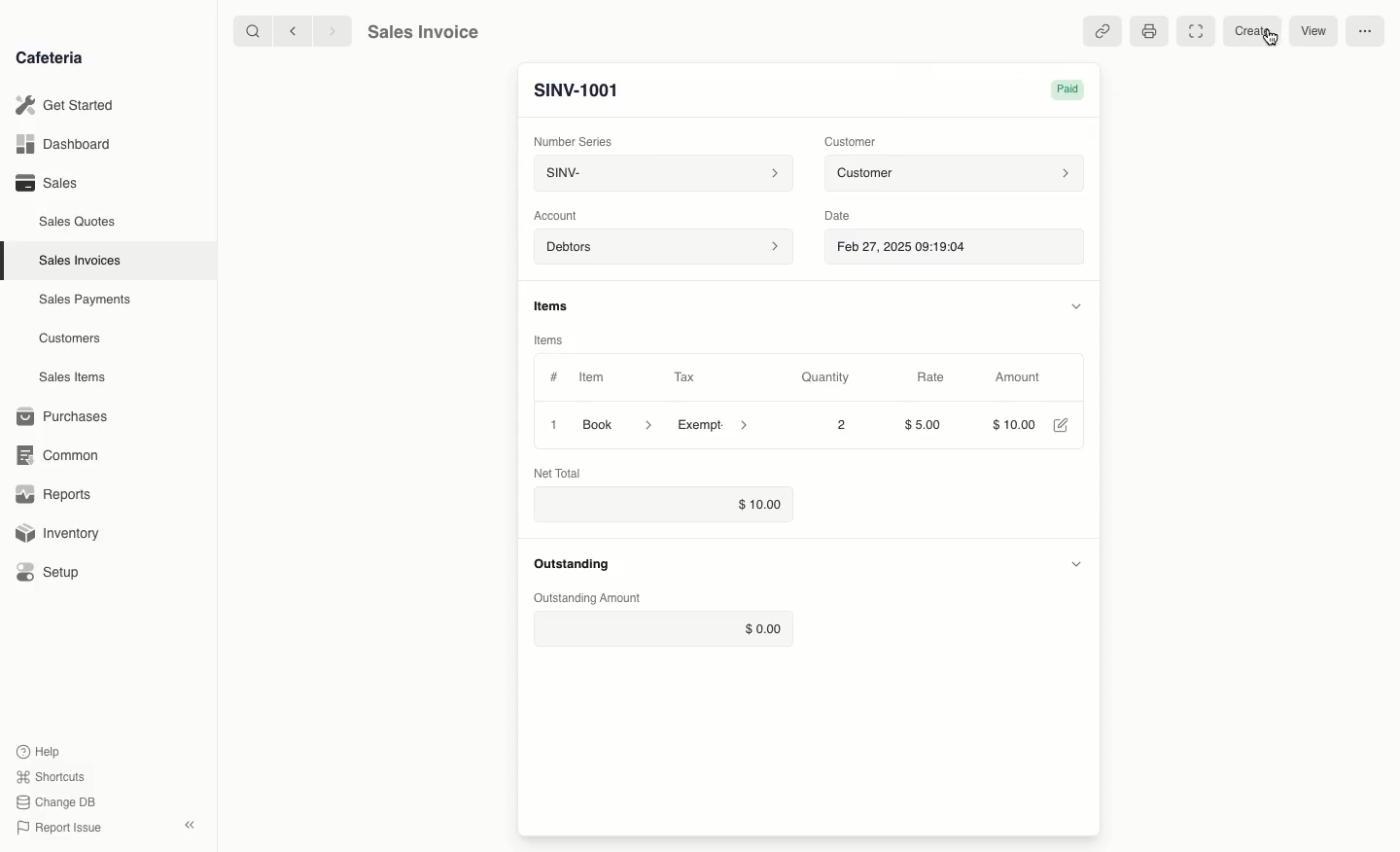 Image resolution: width=1400 pixels, height=852 pixels. What do you see at coordinates (577, 90) in the screenshot?
I see `SINV-1001` at bounding box center [577, 90].